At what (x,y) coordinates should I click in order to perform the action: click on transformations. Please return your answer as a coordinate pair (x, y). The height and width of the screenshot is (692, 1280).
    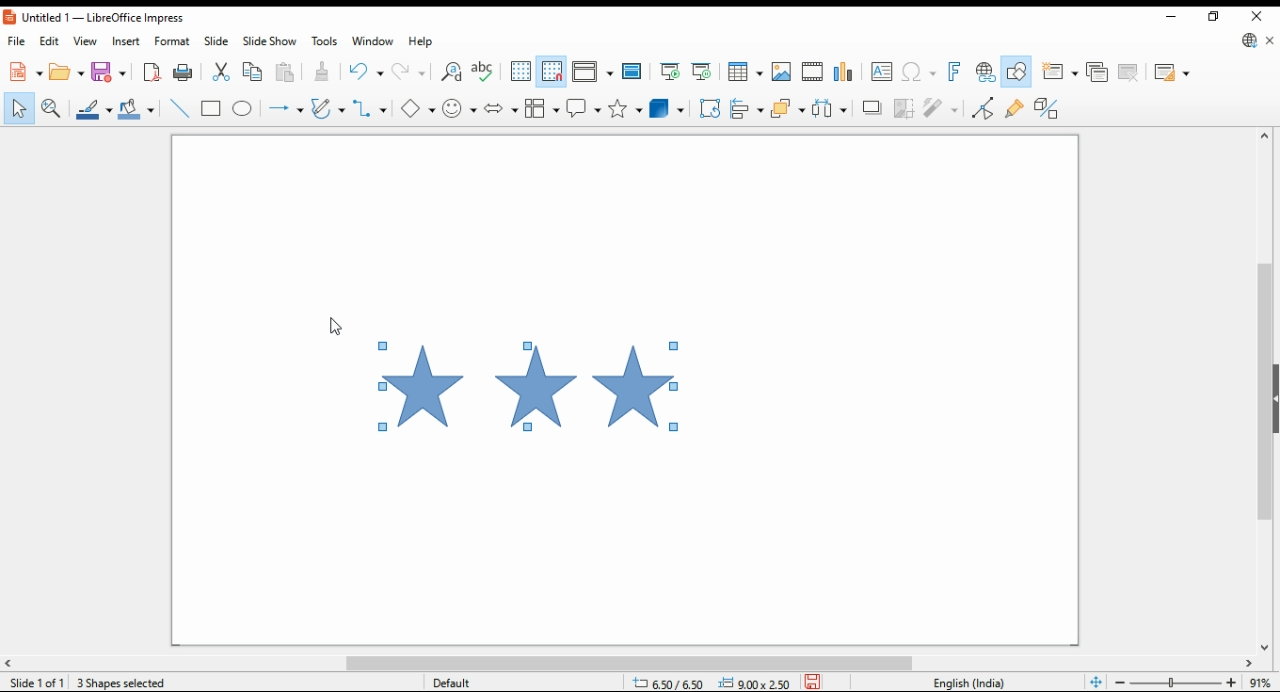
    Looking at the image, I should click on (710, 110).